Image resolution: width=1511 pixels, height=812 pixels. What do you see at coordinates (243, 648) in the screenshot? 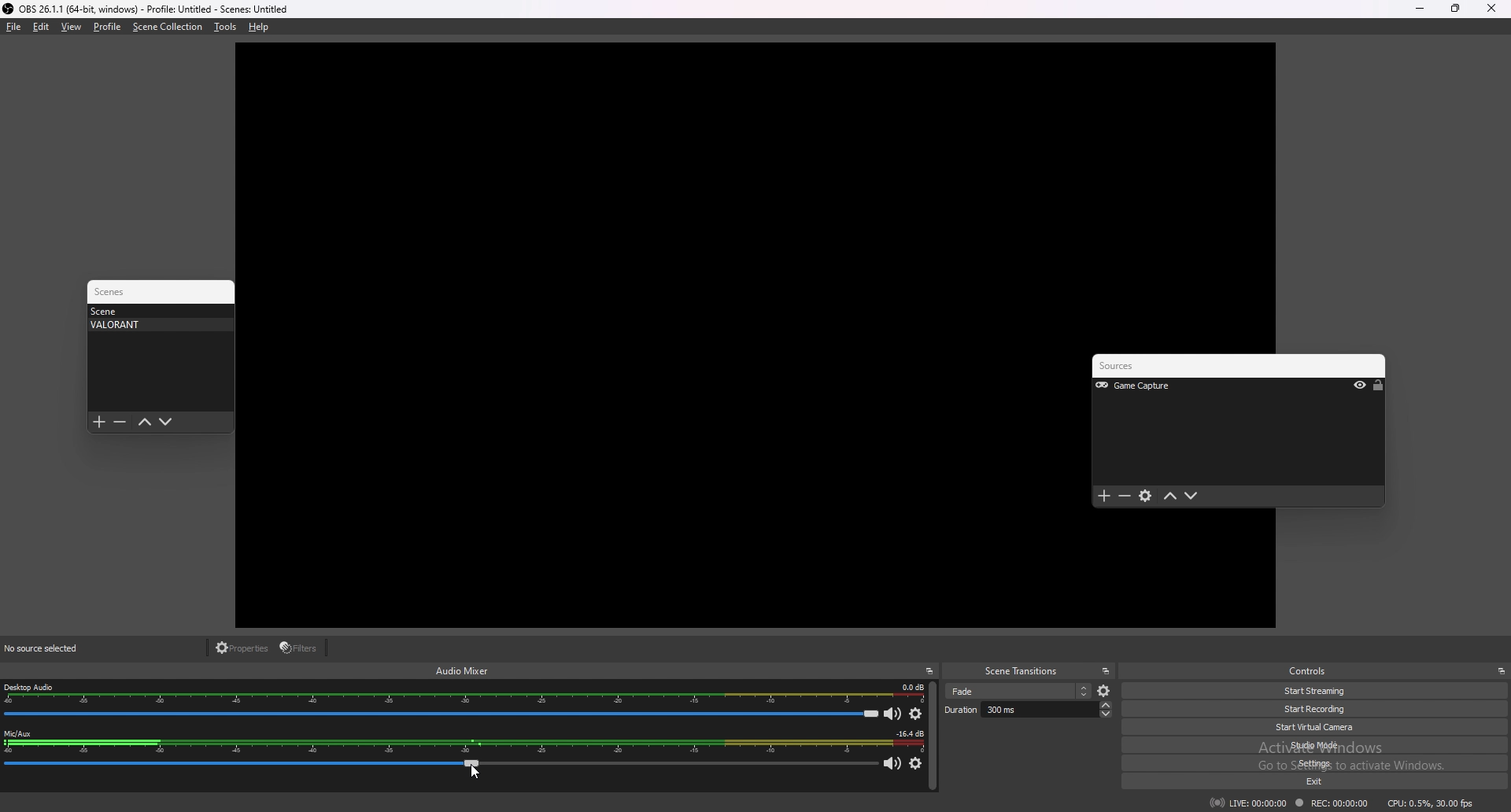
I see `properties` at bounding box center [243, 648].